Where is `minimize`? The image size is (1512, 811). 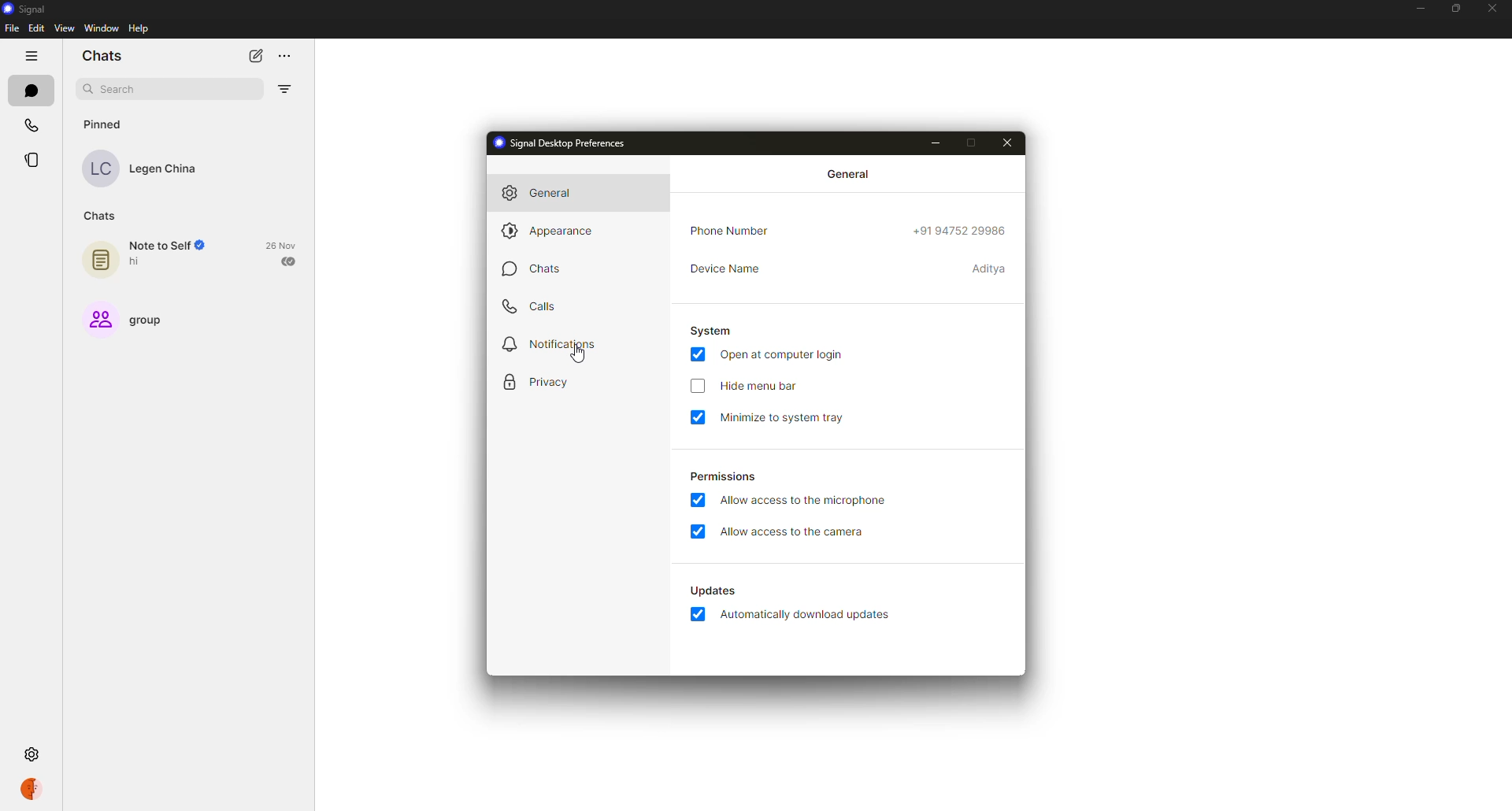
minimize is located at coordinates (1418, 9).